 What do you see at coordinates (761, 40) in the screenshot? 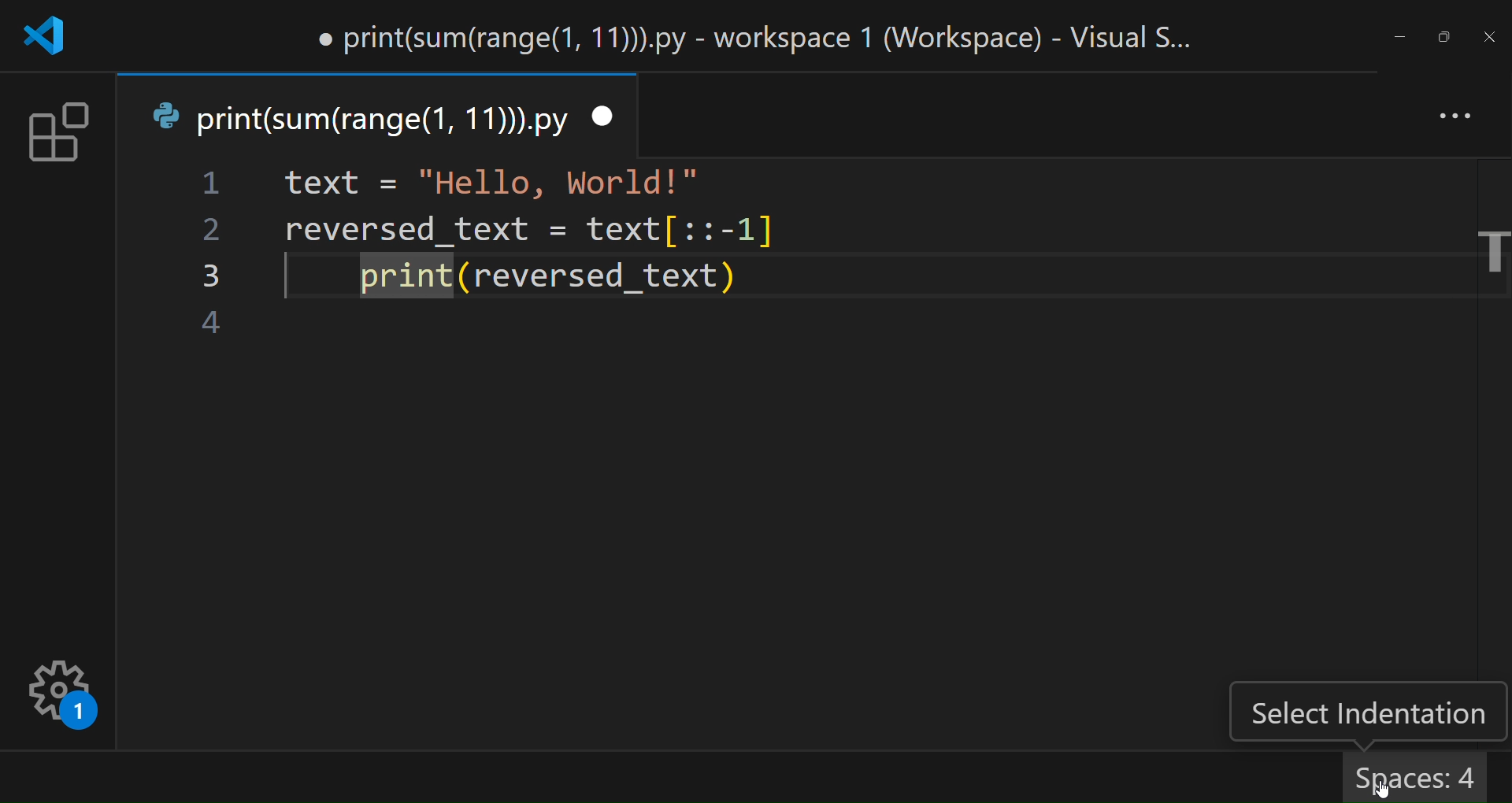
I see `title` at bounding box center [761, 40].